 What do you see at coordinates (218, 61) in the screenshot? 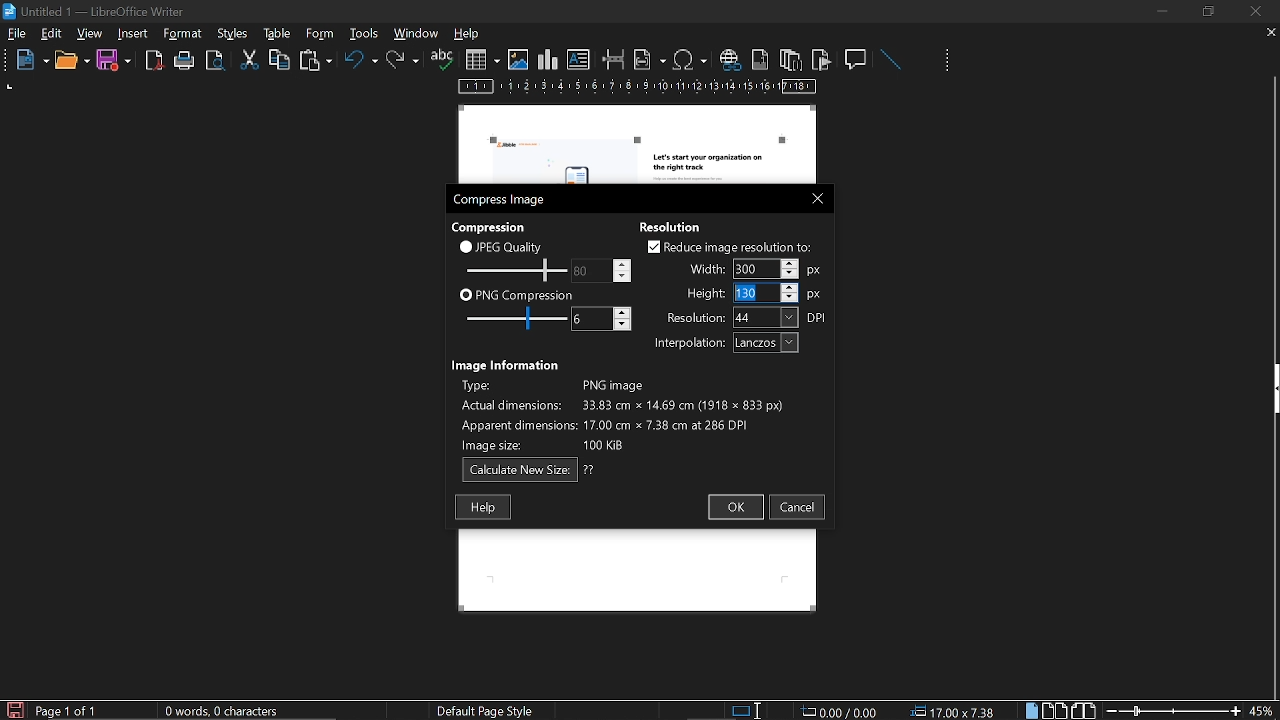
I see `toggle print preview` at bounding box center [218, 61].